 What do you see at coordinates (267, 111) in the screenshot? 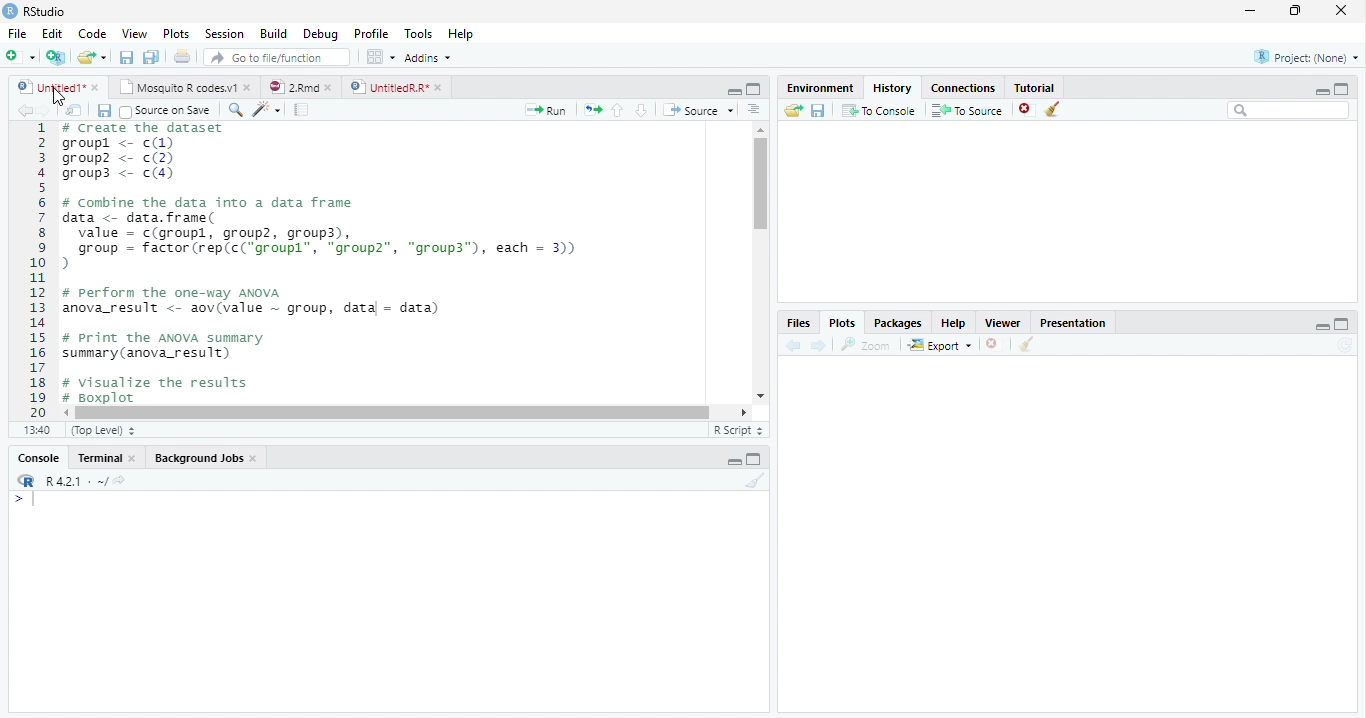
I see `Magic code` at bounding box center [267, 111].